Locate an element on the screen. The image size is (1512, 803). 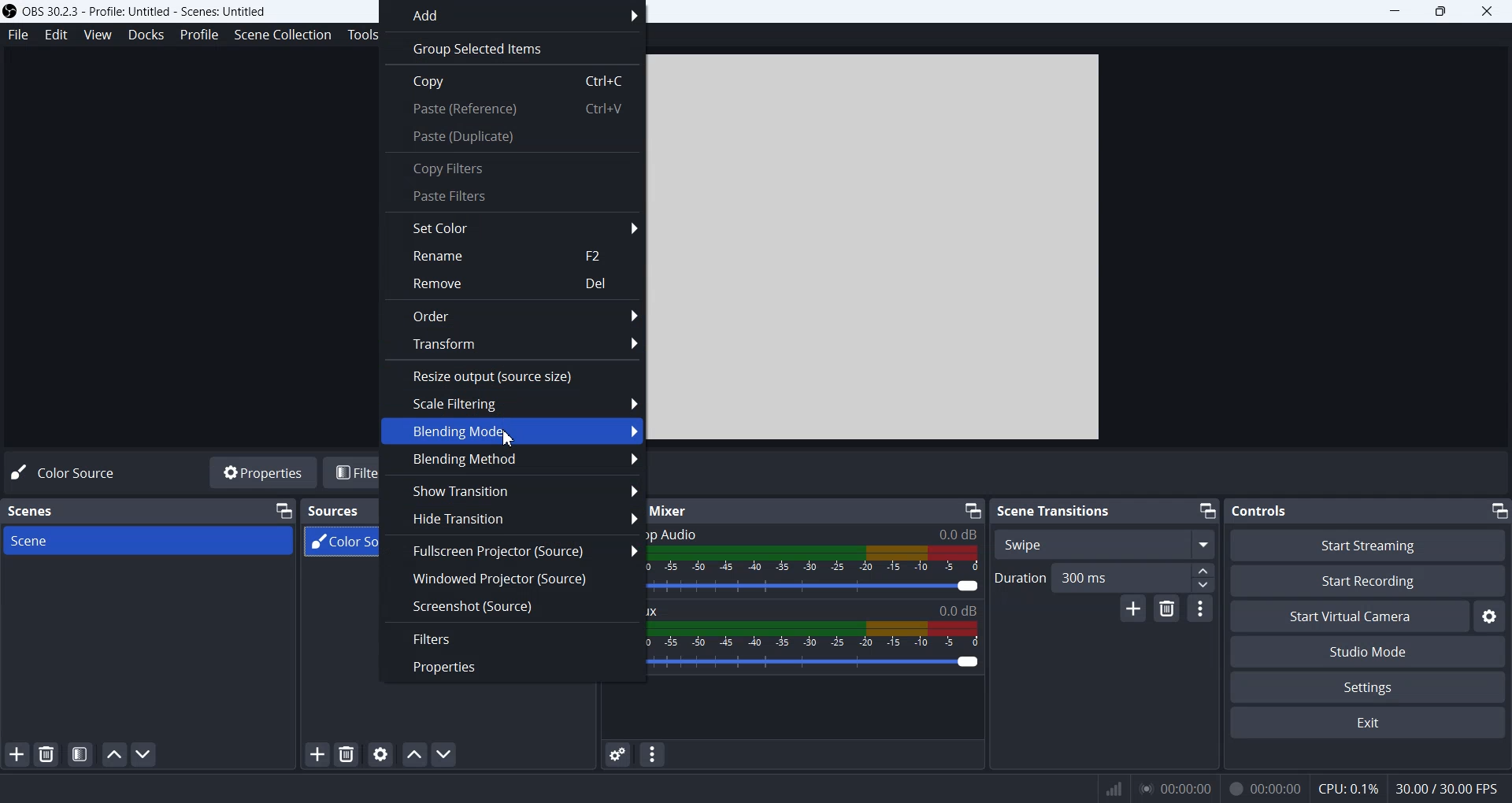
Copy Filters is located at coordinates (511, 166).